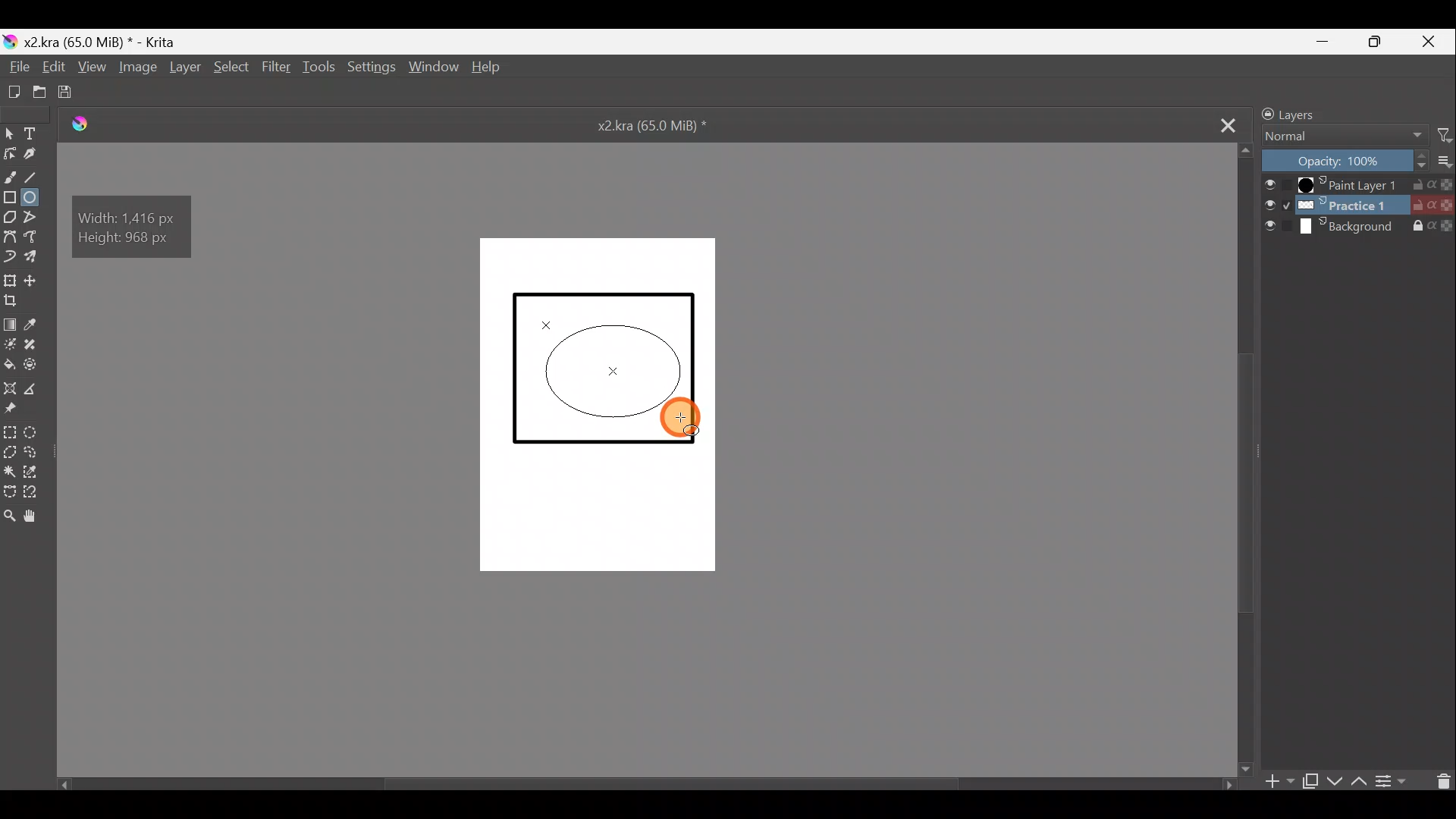  I want to click on Fill a contiguous area of colour with colour/fill a selection, so click(9, 365).